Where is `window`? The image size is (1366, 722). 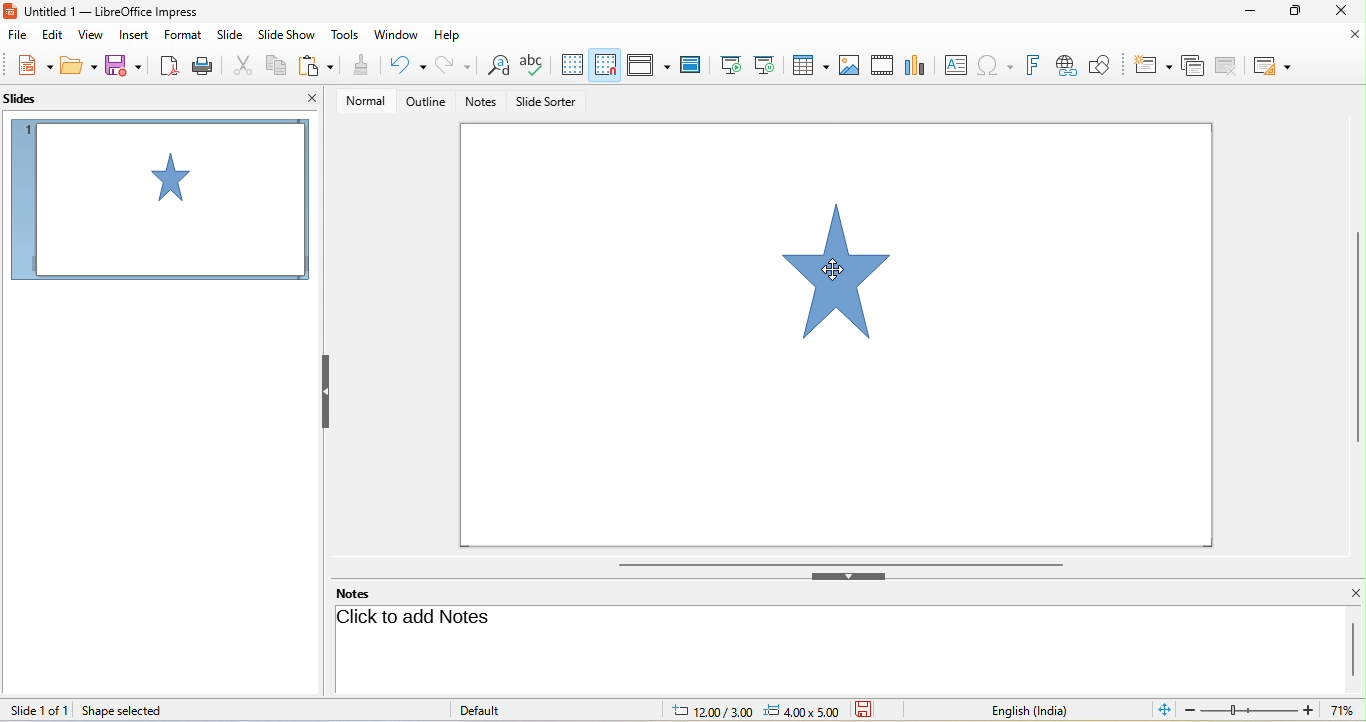
window is located at coordinates (399, 37).